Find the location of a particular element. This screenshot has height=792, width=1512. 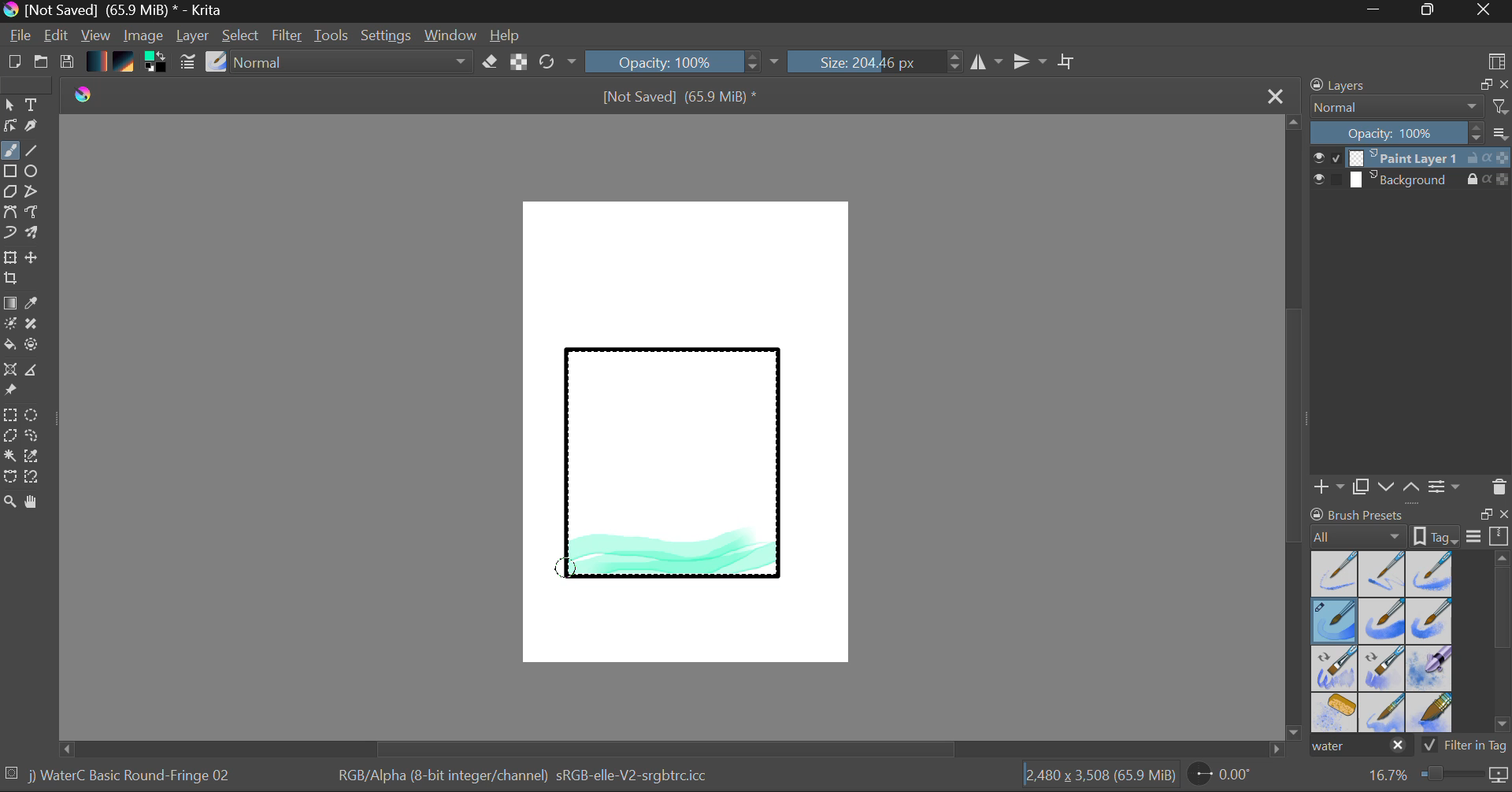

Select is located at coordinates (9, 105).